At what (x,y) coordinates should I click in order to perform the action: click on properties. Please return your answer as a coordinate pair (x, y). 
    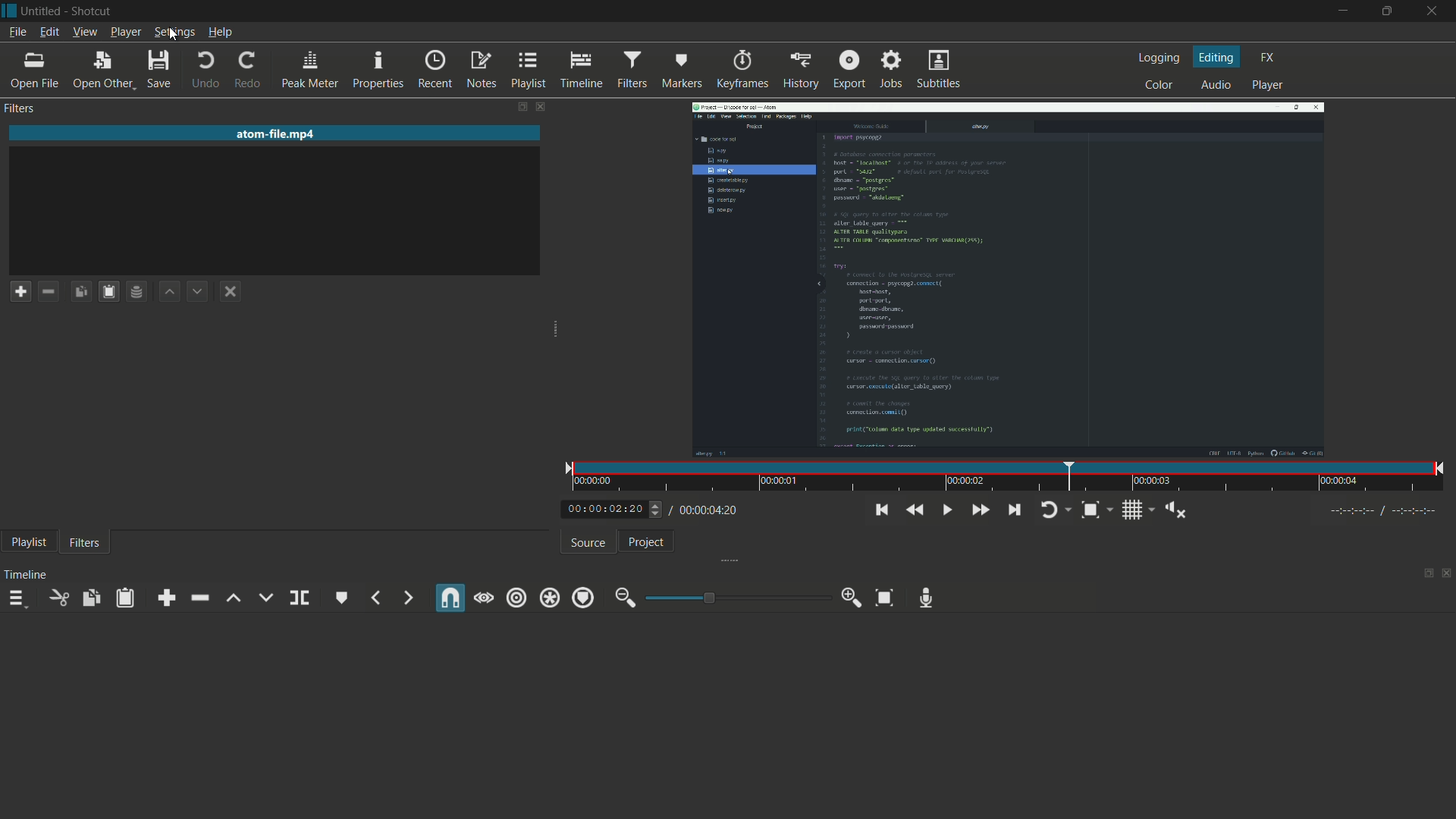
    Looking at the image, I should click on (376, 68).